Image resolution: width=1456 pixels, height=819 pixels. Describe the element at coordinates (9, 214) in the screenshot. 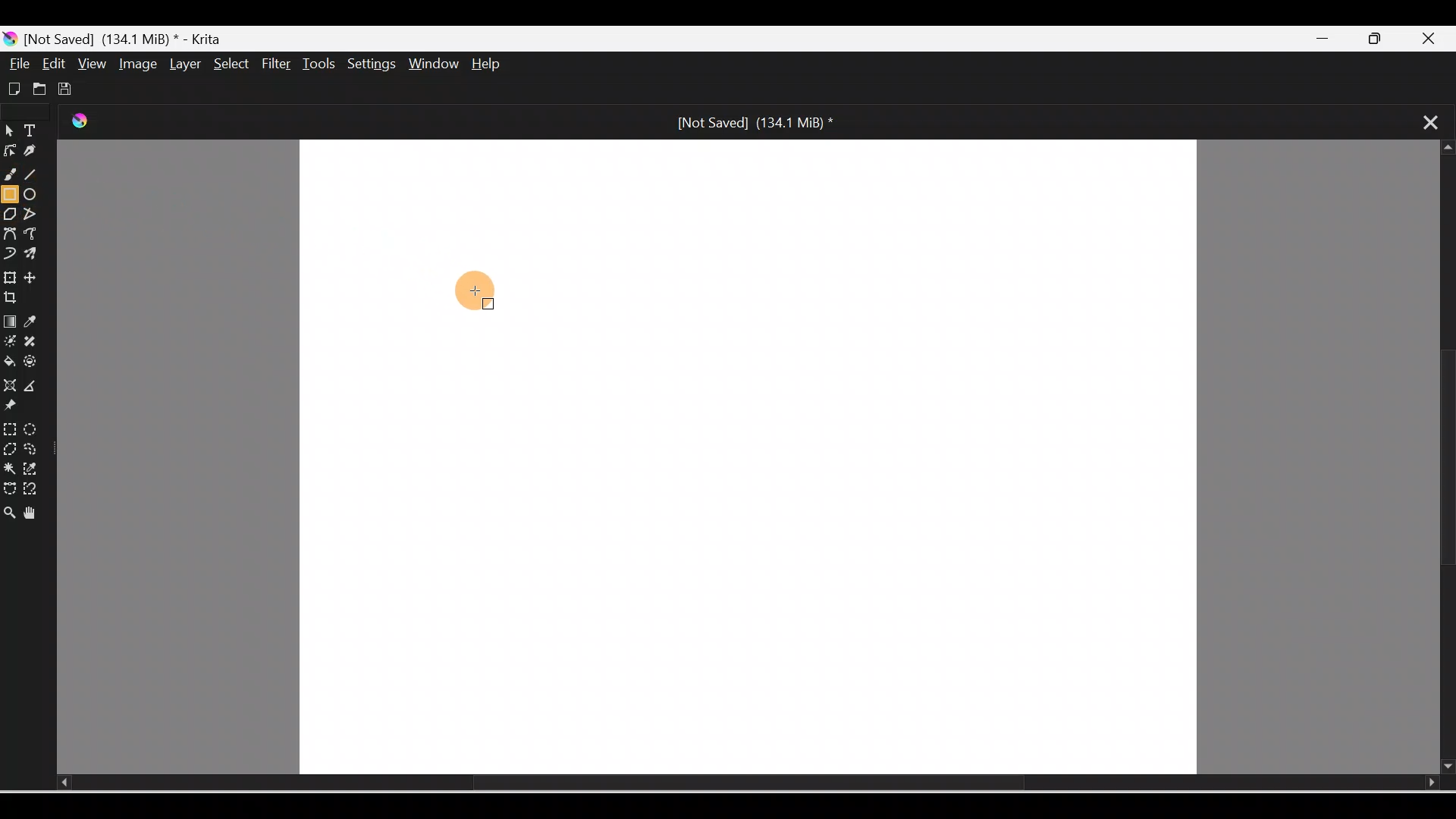

I see `Polygon` at that location.